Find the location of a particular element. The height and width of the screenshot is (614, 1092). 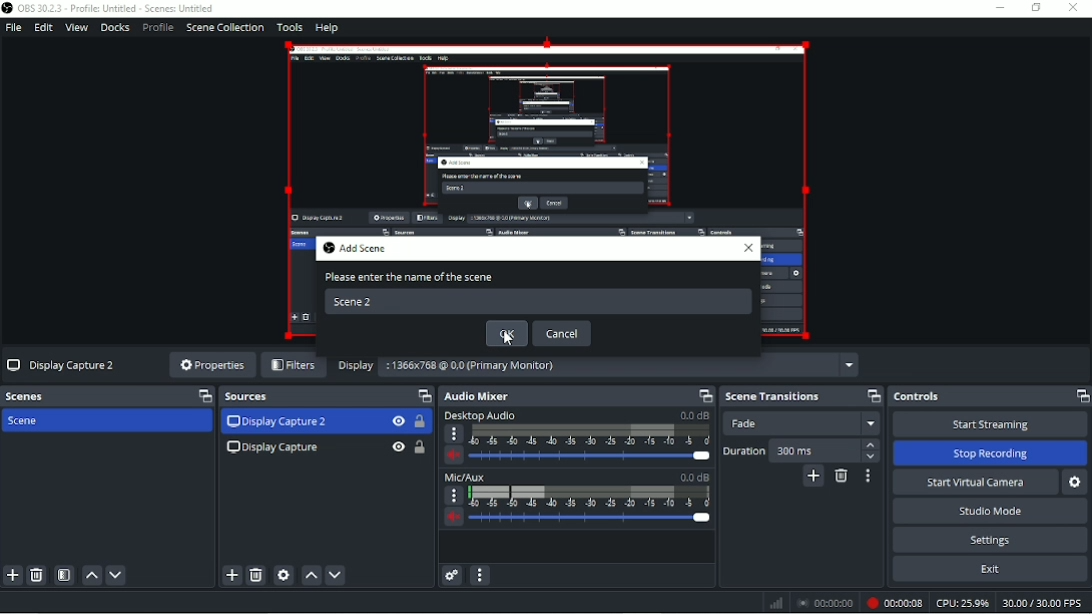

more options is located at coordinates (453, 434).